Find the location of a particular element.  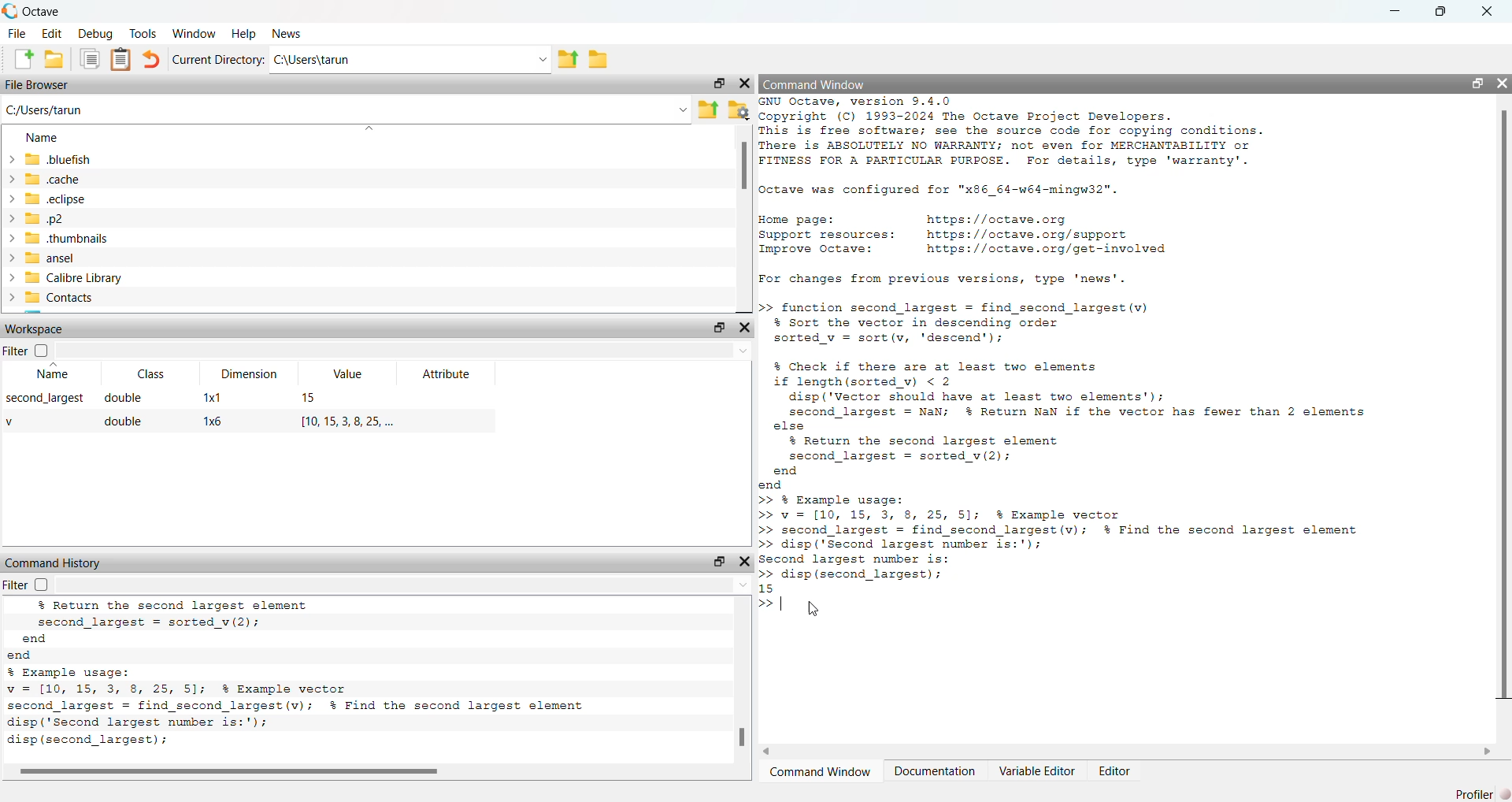

editor is located at coordinates (1117, 772).